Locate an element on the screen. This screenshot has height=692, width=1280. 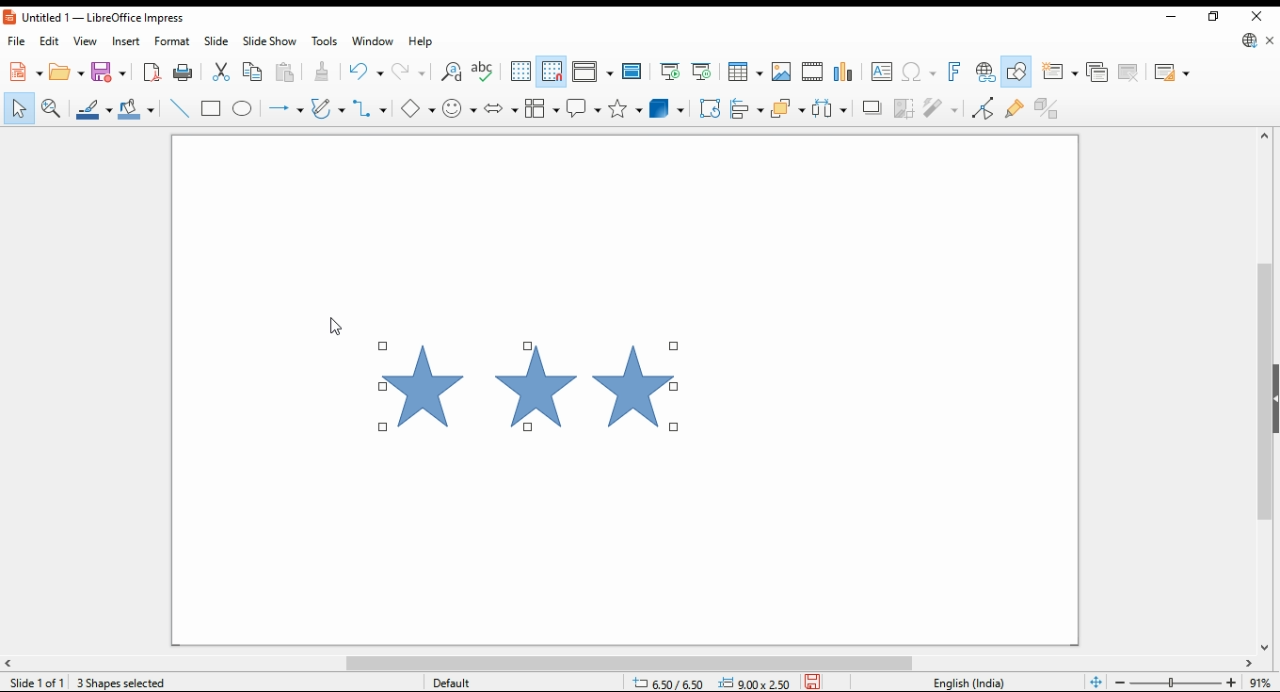
format is located at coordinates (174, 40).